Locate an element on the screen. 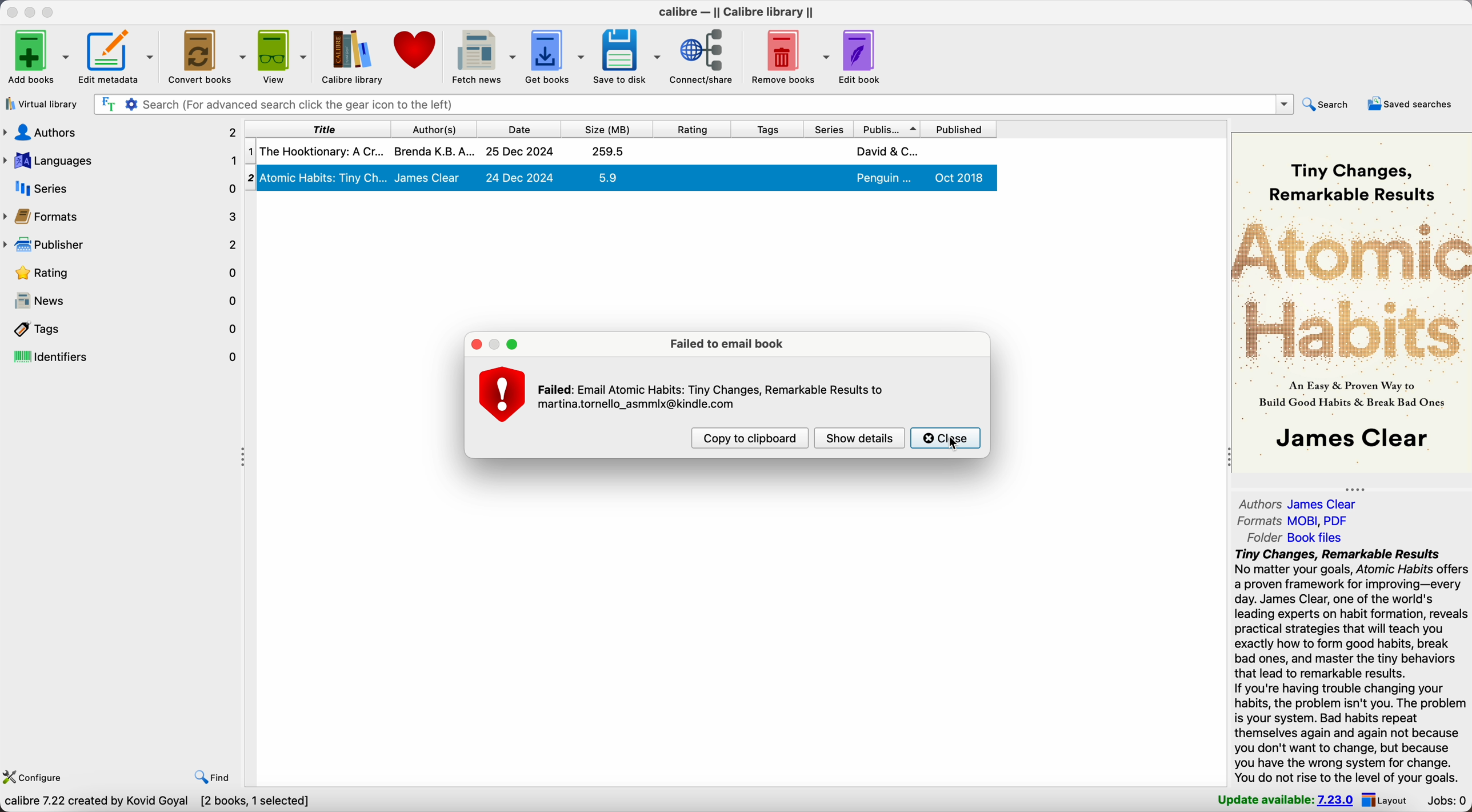  Failed: Email Atomic Habits: Tiny changes, Remarkable Result to martina.tornello_asmmlx@kindle.com is located at coordinates (711, 397).